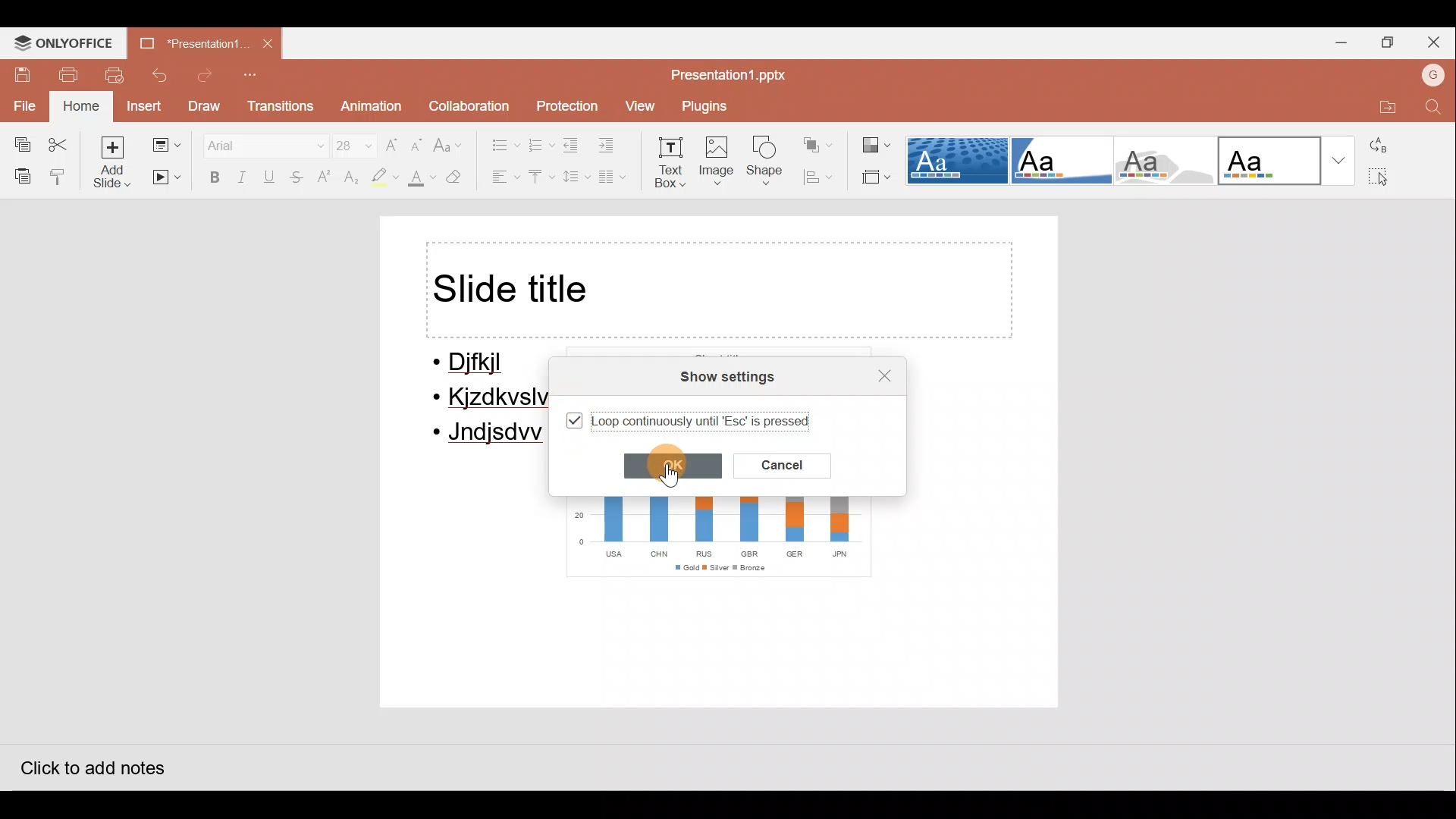  What do you see at coordinates (1433, 39) in the screenshot?
I see `Close` at bounding box center [1433, 39].